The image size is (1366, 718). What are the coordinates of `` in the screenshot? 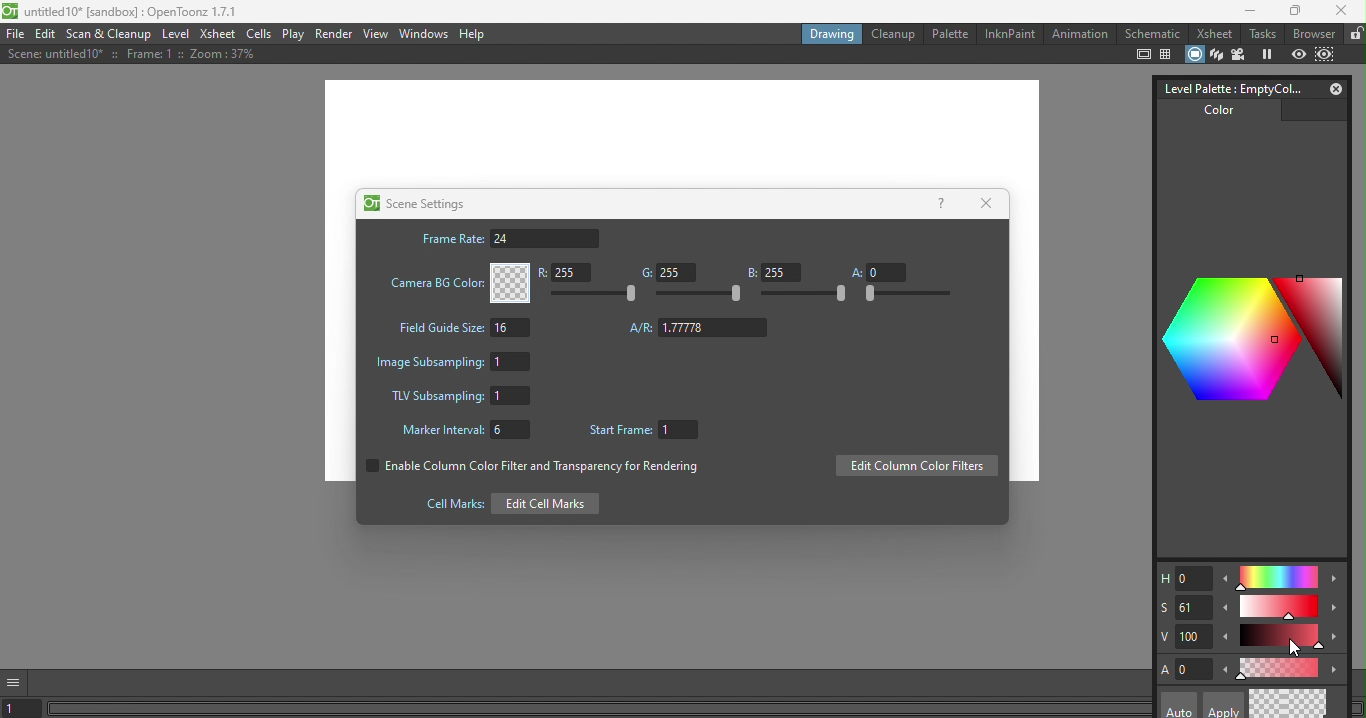 It's located at (1335, 612).